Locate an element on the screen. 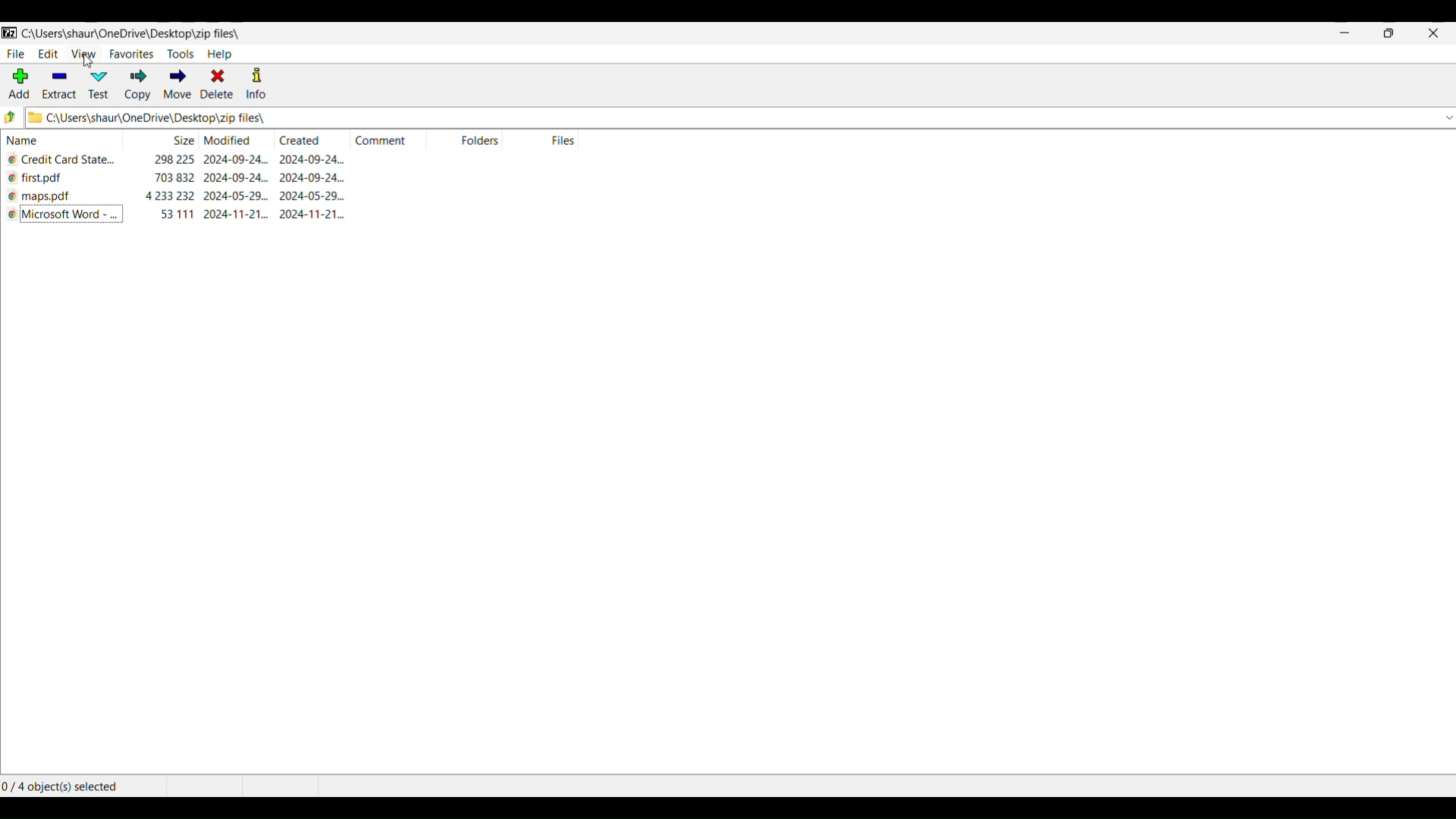 This screenshot has width=1456, height=819. size of file is located at coordinates (167, 197).